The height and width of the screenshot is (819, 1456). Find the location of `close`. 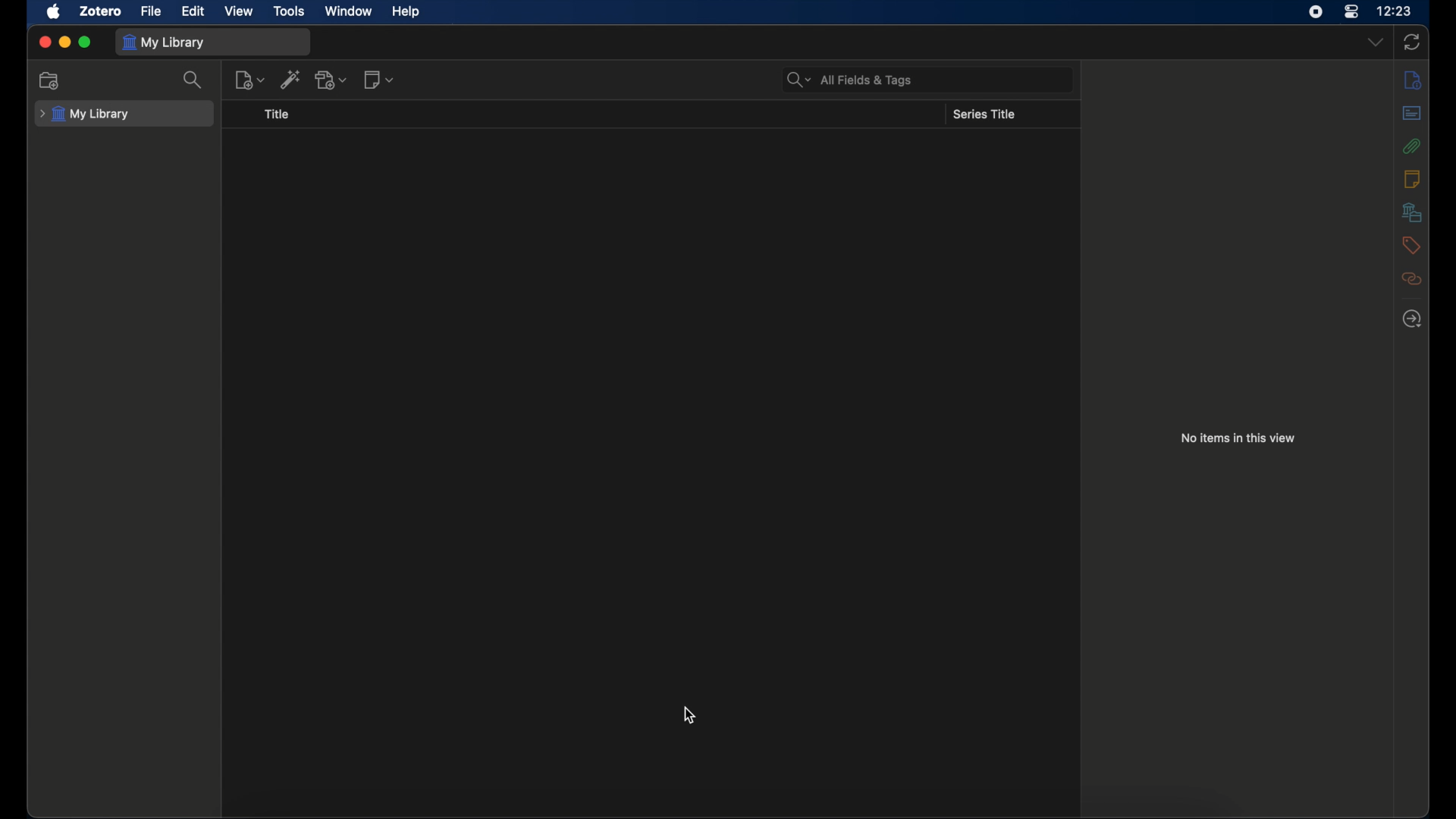

close is located at coordinates (45, 42).